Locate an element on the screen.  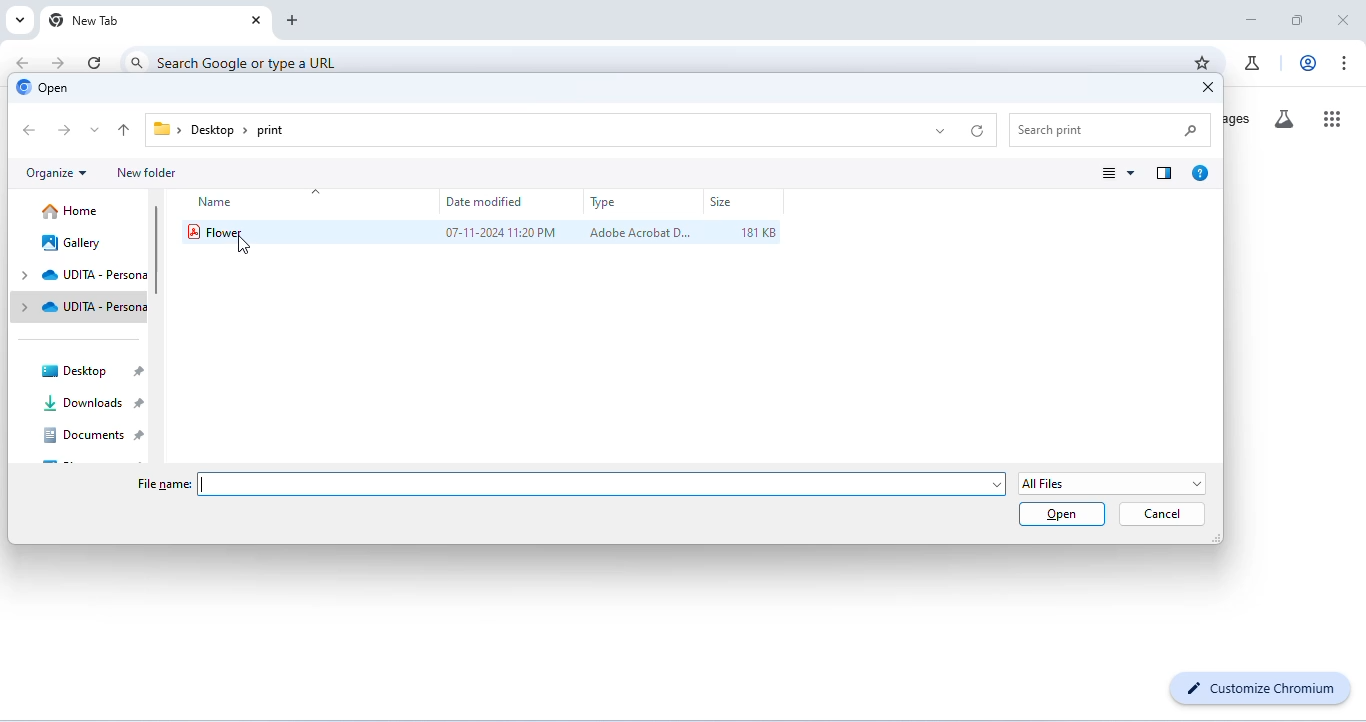
customize and control chromium is located at coordinates (1344, 61).